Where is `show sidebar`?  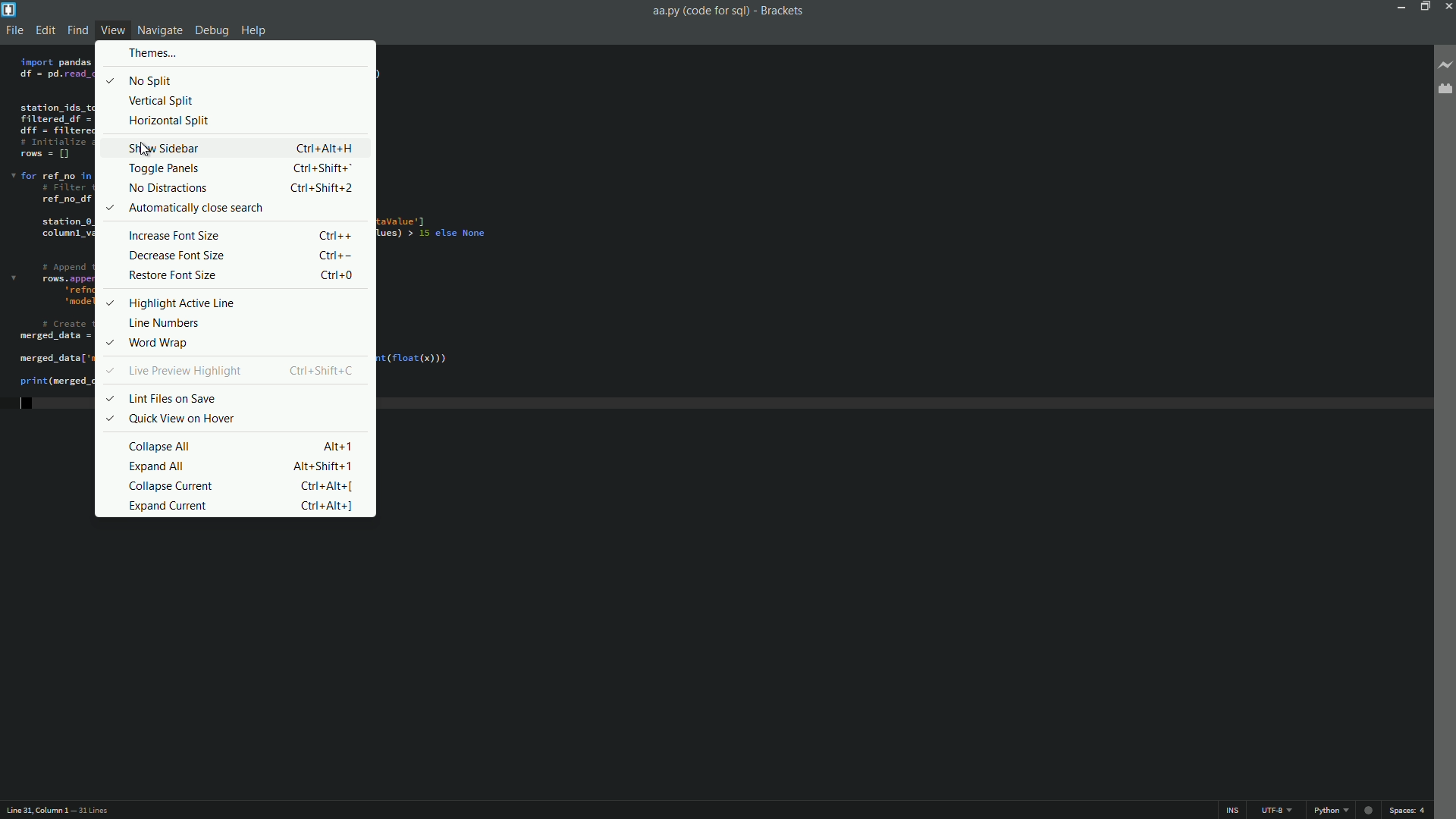
show sidebar is located at coordinates (247, 149).